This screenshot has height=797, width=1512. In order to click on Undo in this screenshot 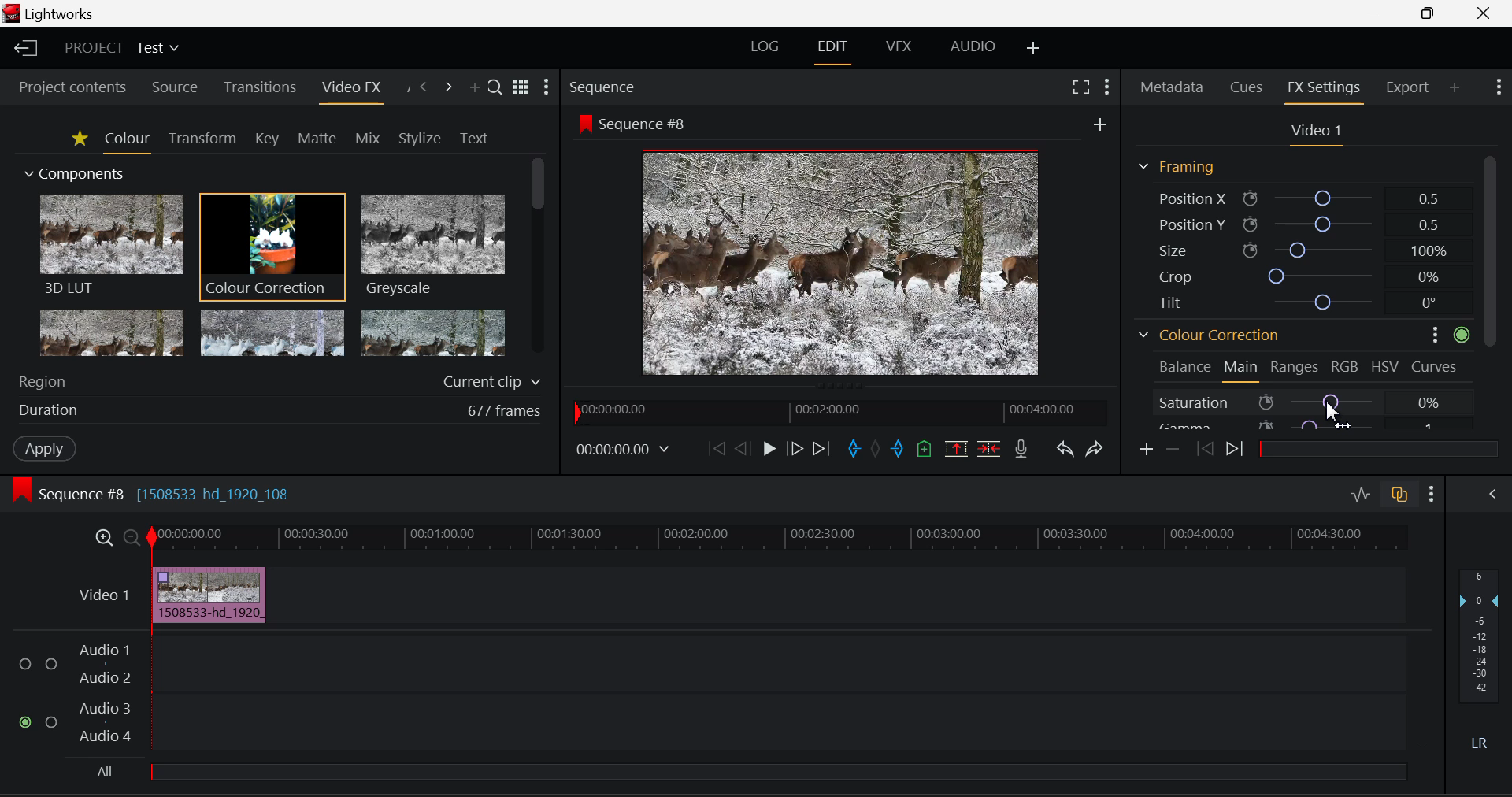, I will do `click(1066, 450)`.